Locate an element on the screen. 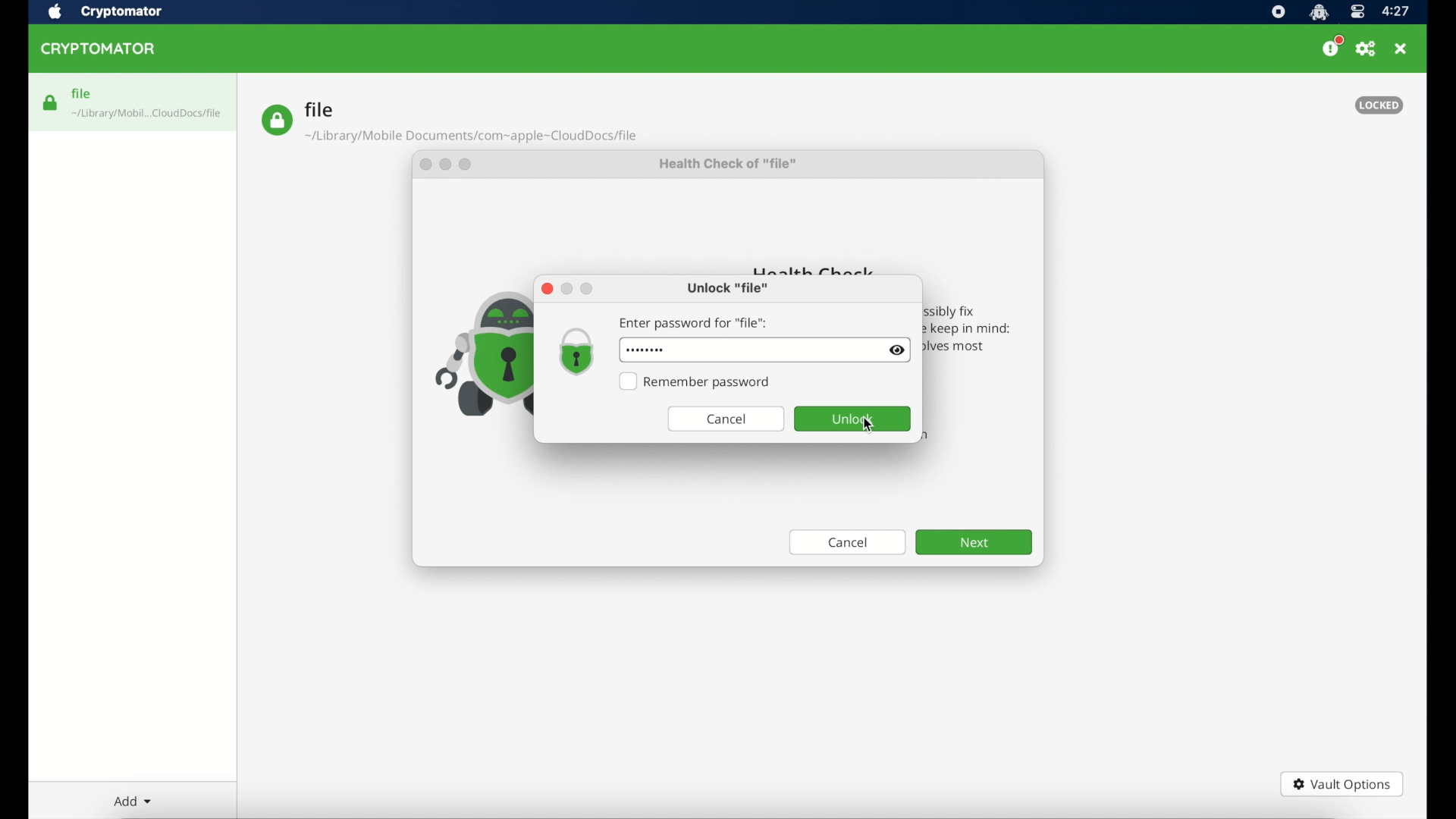 The width and height of the screenshot is (1456, 819). password is located at coordinates (643, 350).